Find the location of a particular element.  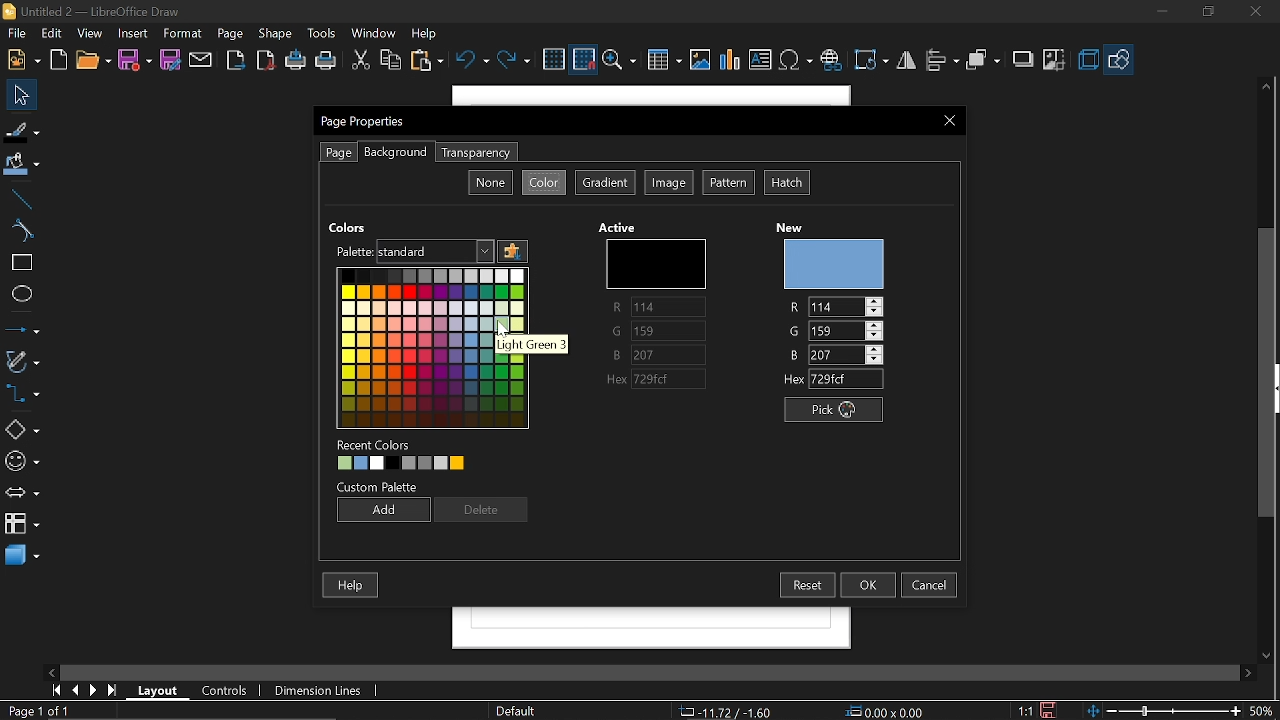

arrange is located at coordinates (985, 61).